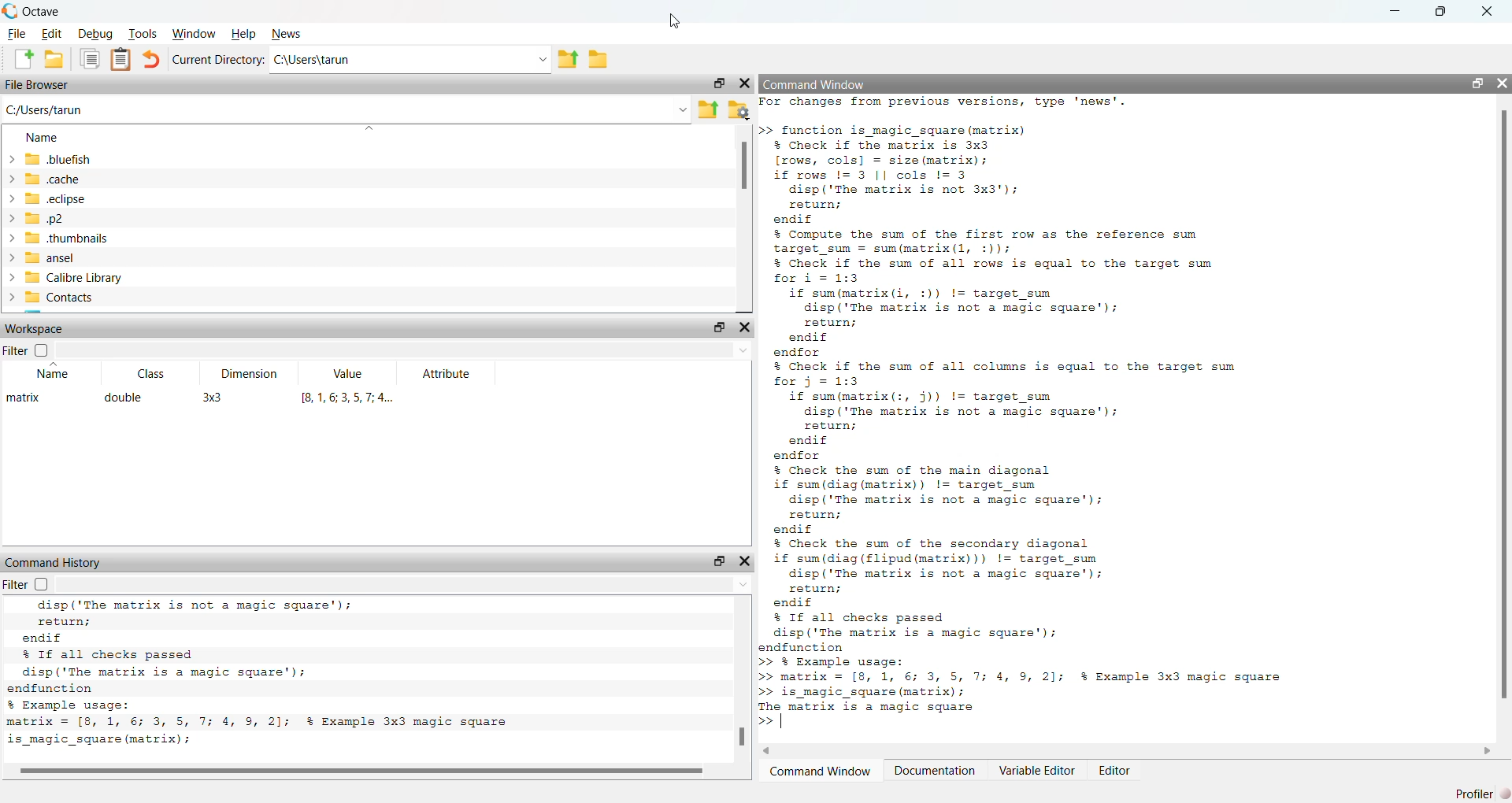  Describe the element at coordinates (11, 11) in the screenshot. I see `logo` at that location.